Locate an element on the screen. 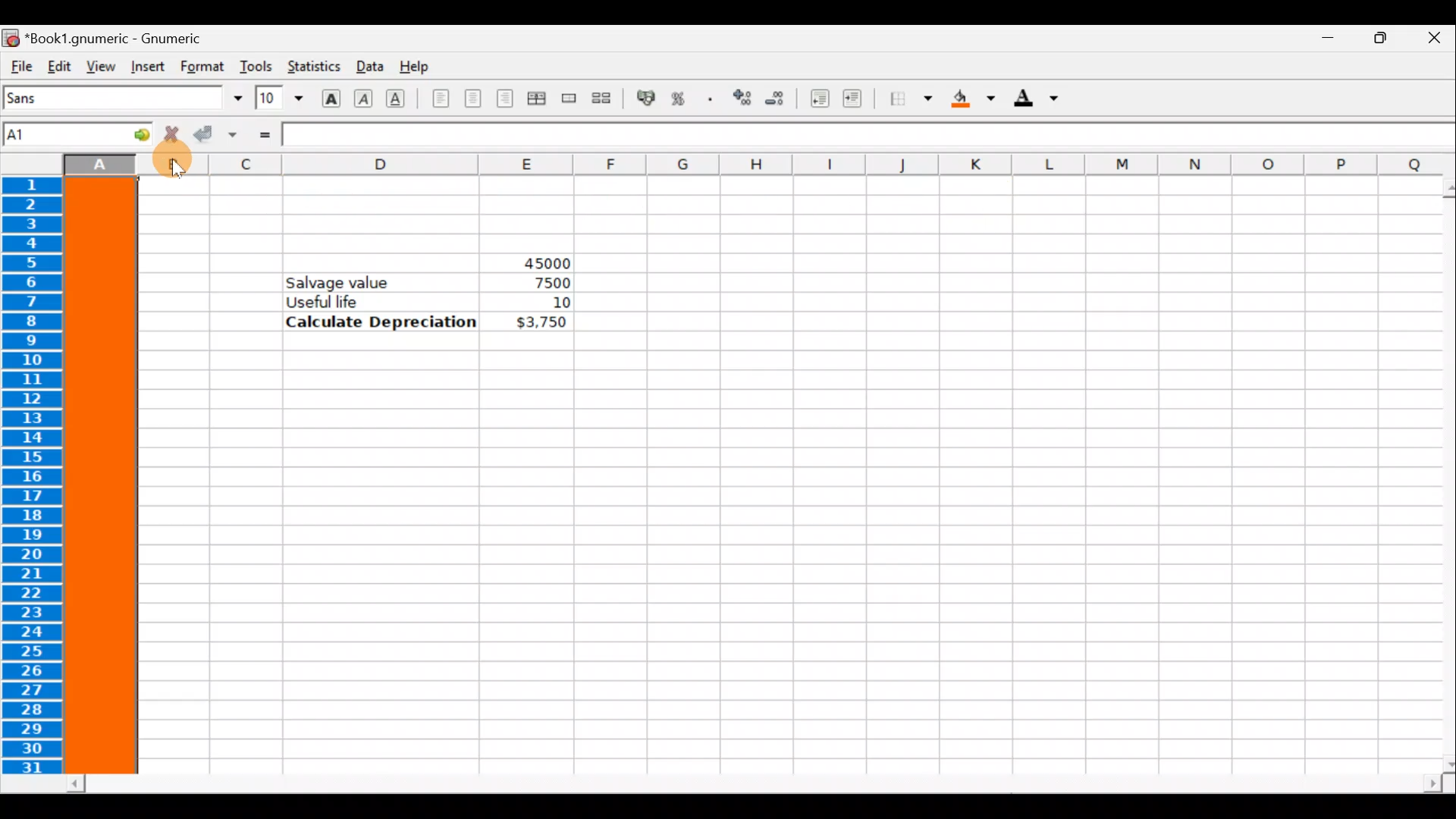 The height and width of the screenshot is (819, 1456). Increase indent, align contents to the left is located at coordinates (859, 100).